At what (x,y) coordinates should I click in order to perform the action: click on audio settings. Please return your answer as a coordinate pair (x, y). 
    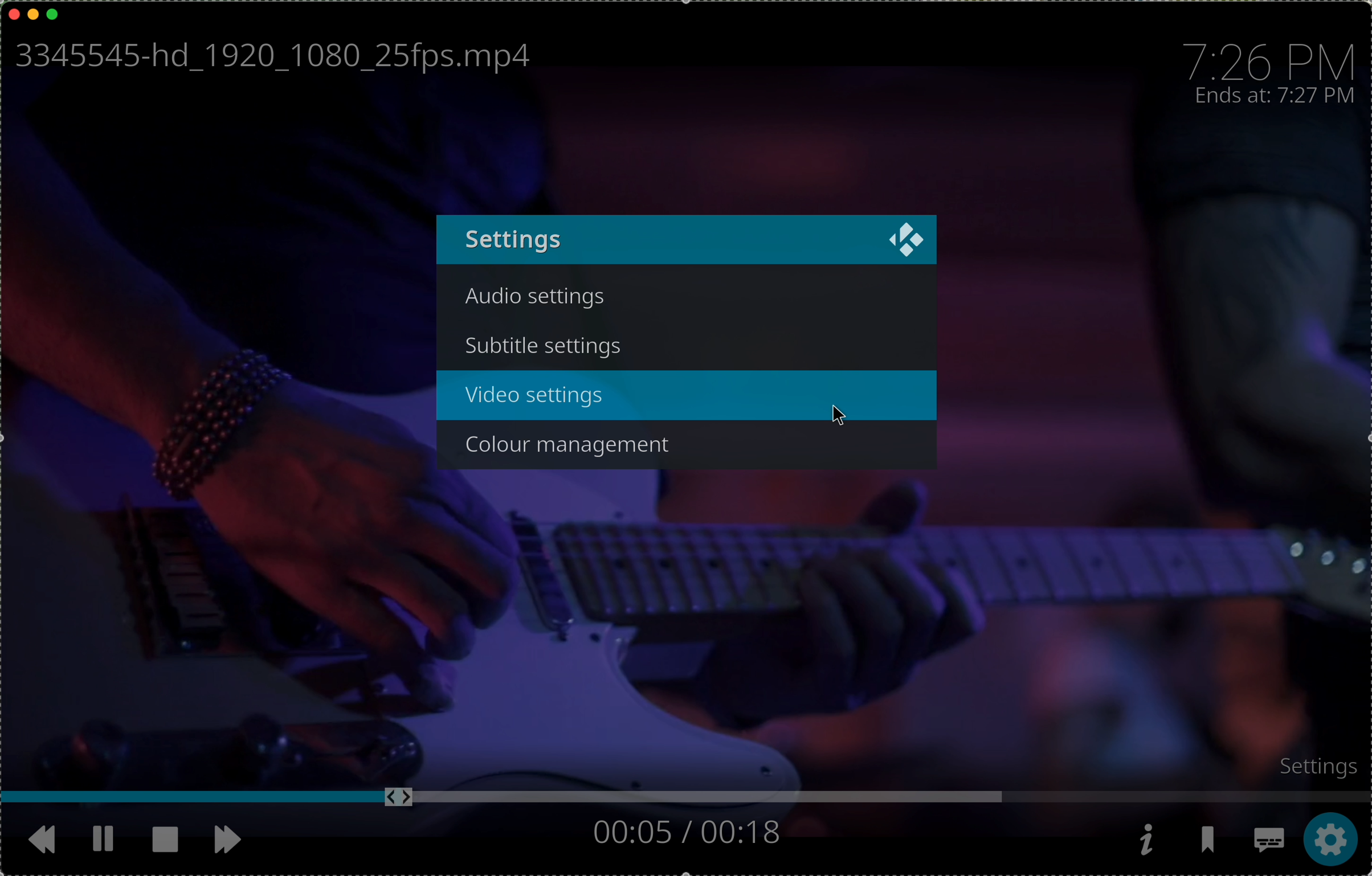
    Looking at the image, I should click on (539, 300).